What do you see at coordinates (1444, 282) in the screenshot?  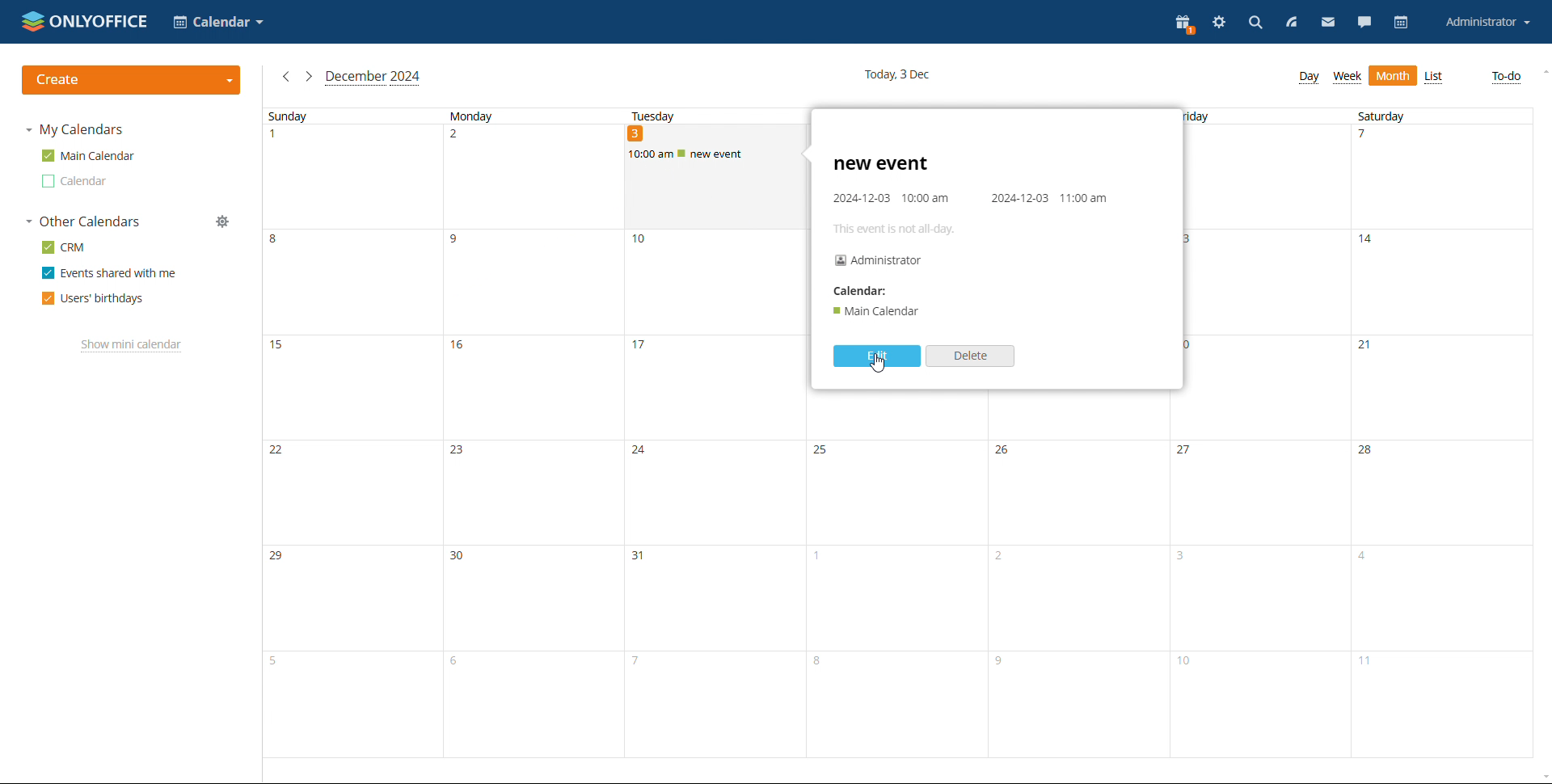 I see `14` at bounding box center [1444, 282].